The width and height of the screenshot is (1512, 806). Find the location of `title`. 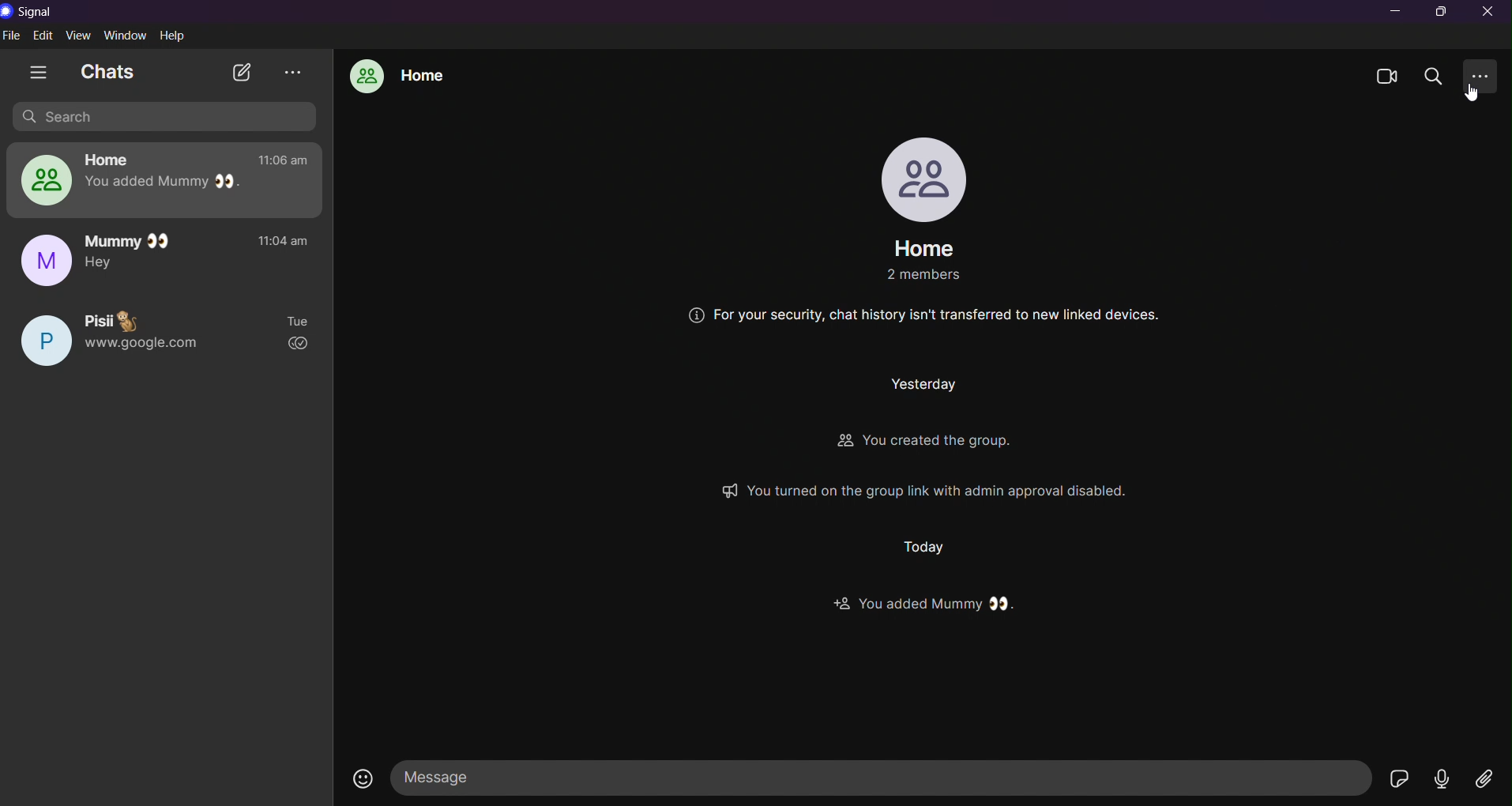

title is located at coordinates (37, 13).